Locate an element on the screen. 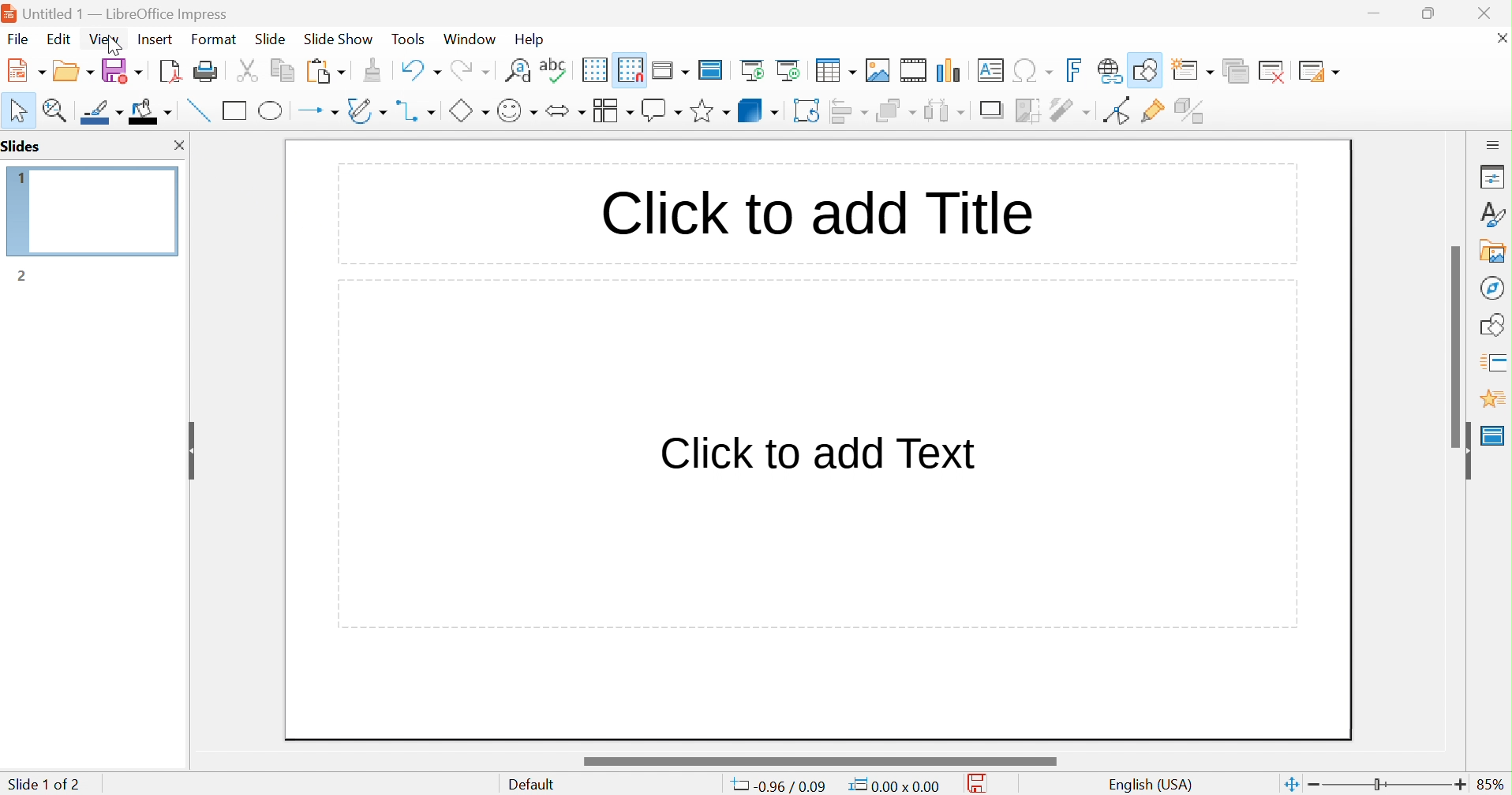 Image resolution: width=1512 pixels, height=795 pixels. basic shapes is located at coordinates (468, 110).